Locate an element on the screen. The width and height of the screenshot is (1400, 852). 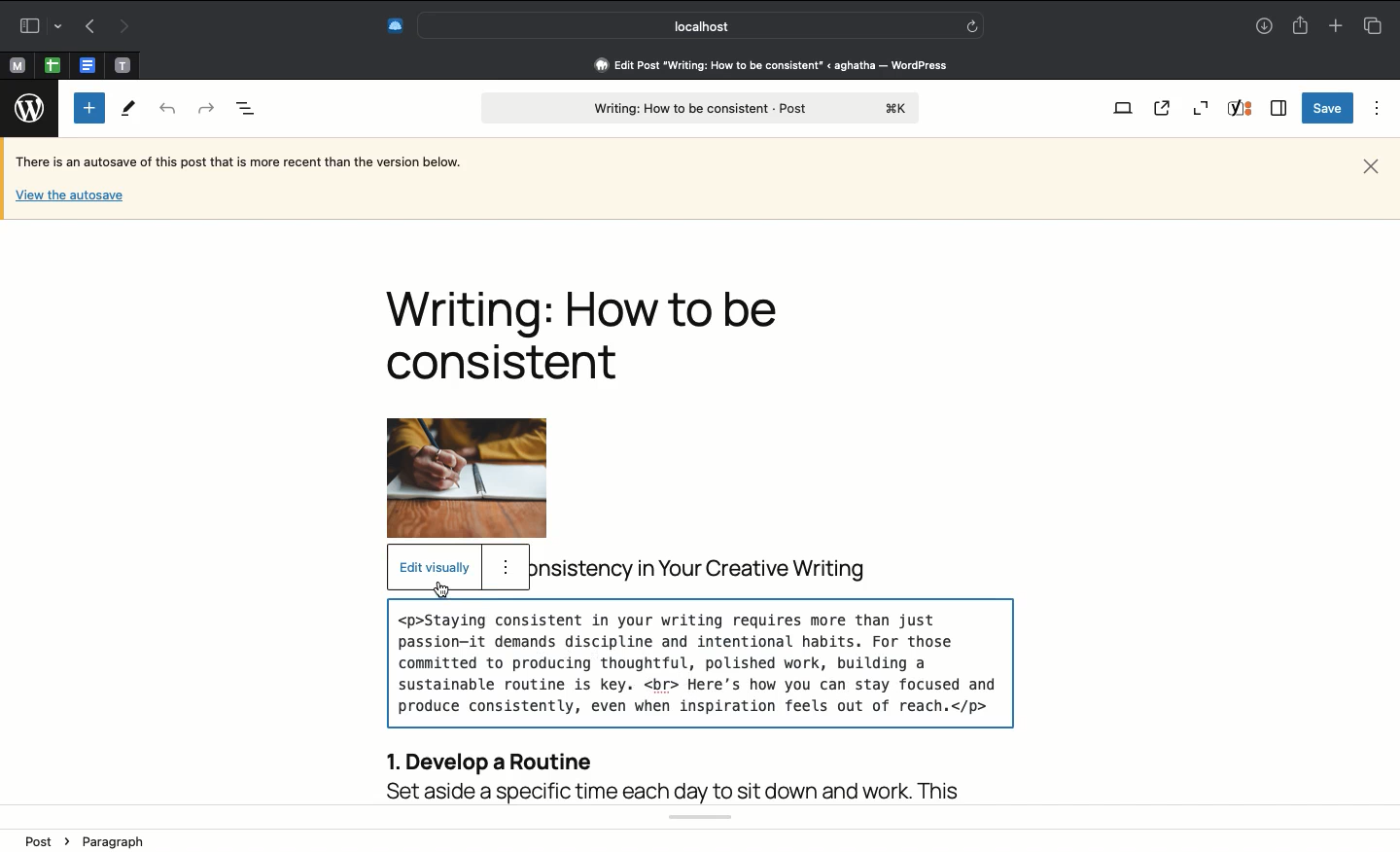
View the autosave is located at coordinates (69, 194).